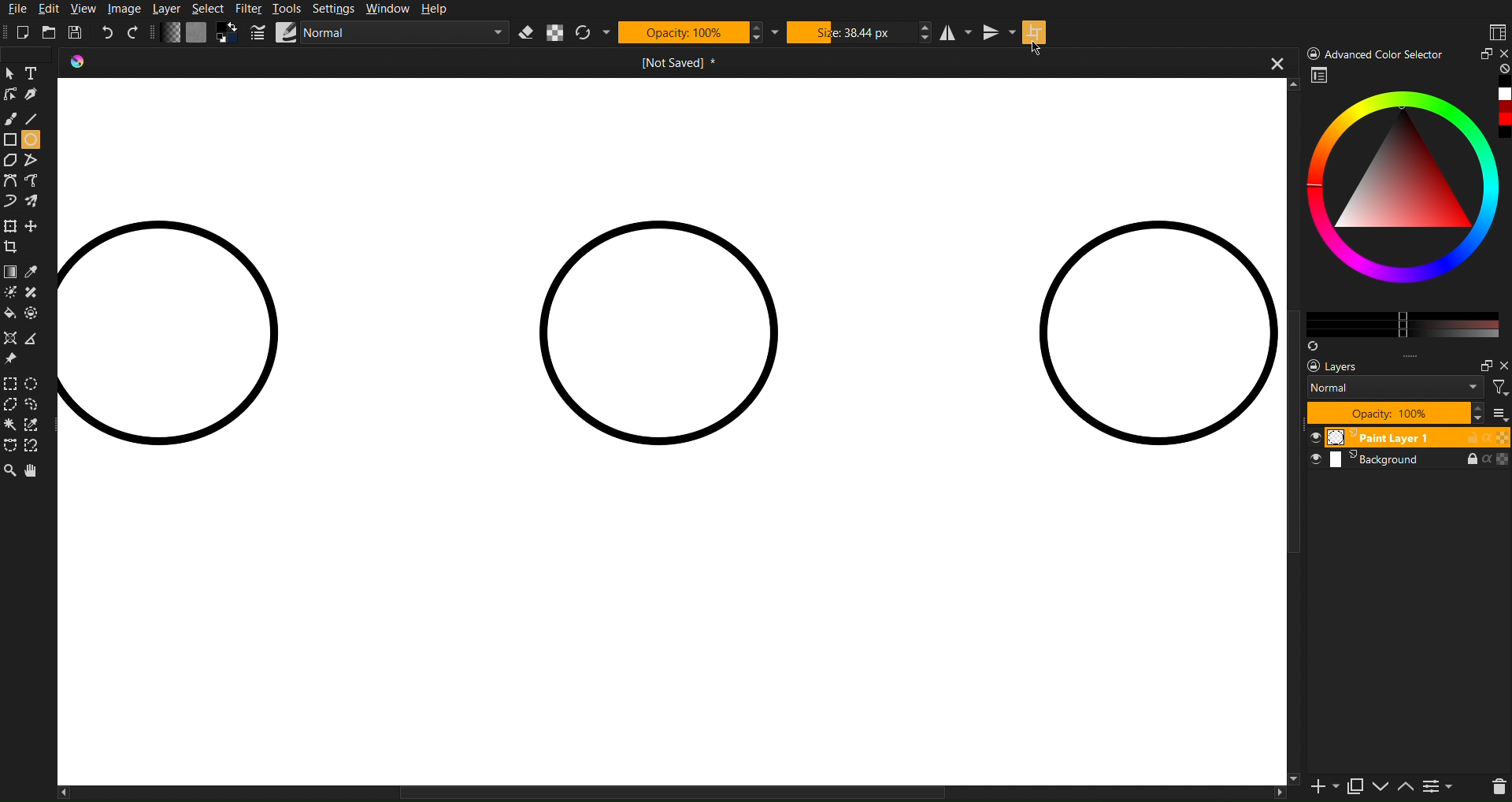 The width and height of the screenshot is (1512, 802). I want to click on Save, so click(80, 33).